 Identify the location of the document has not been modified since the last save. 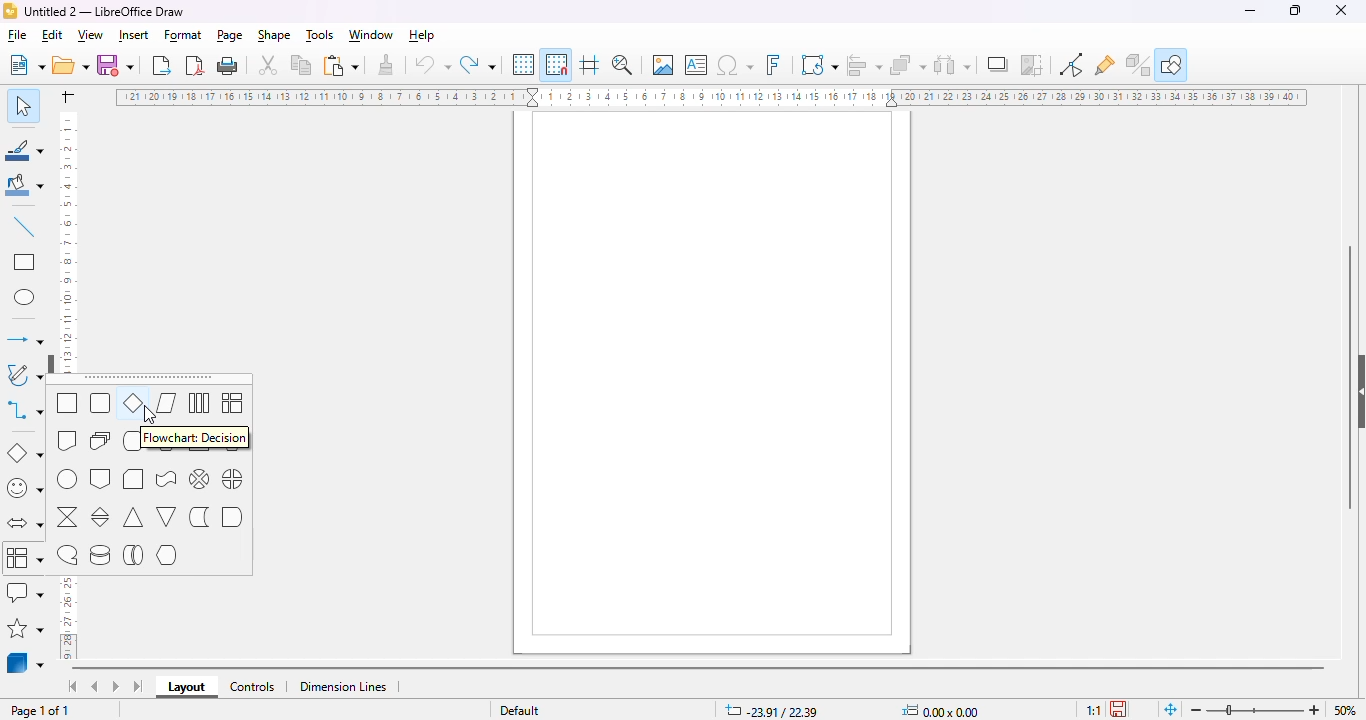
(1120, 708).